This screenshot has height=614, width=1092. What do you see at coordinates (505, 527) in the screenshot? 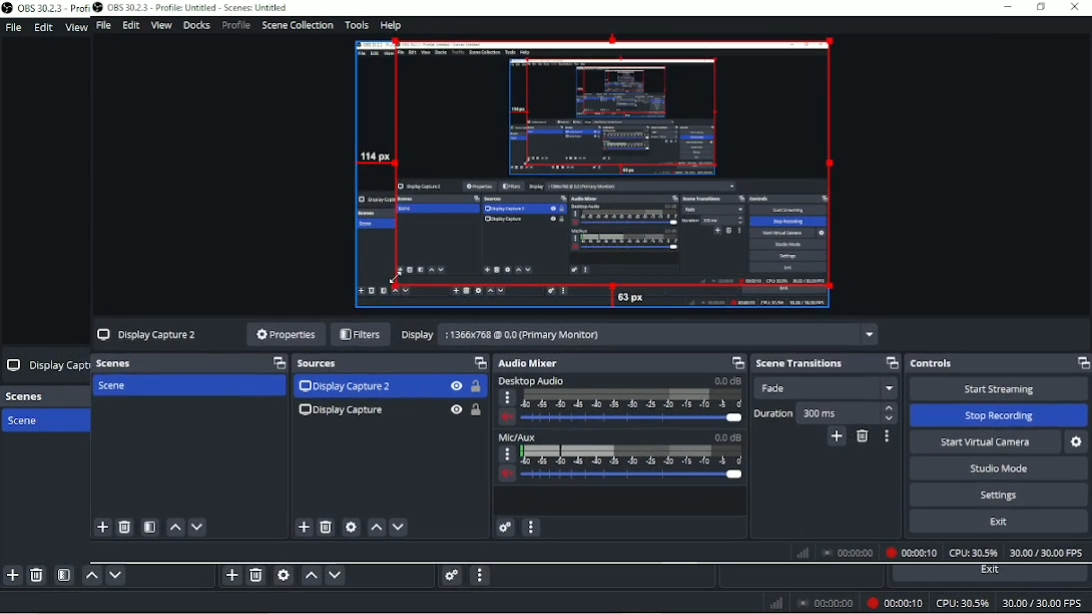
I see `settings` at bounding box center [505, 527].